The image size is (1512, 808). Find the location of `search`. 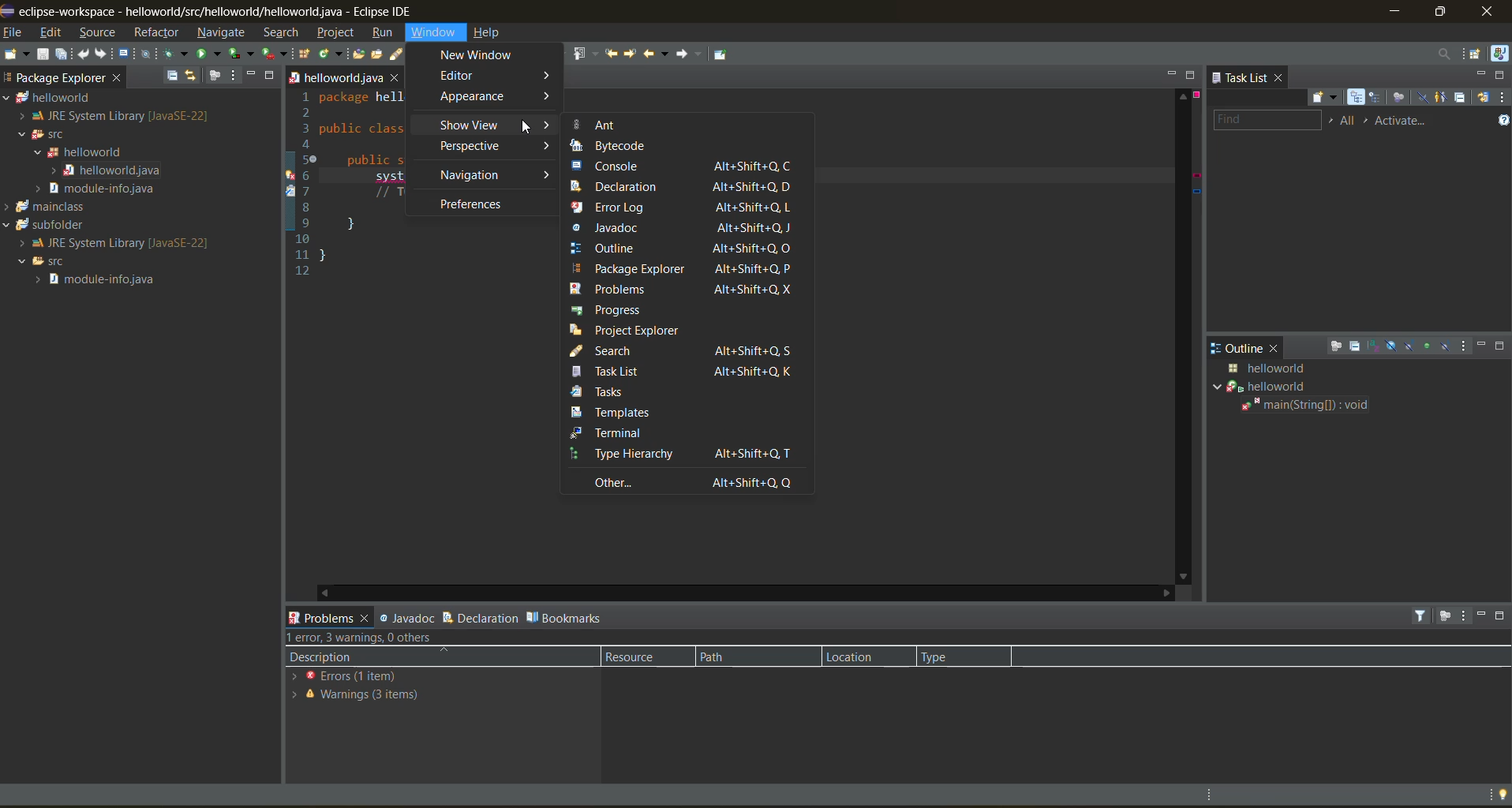

search is located at coordinates (683, 350).